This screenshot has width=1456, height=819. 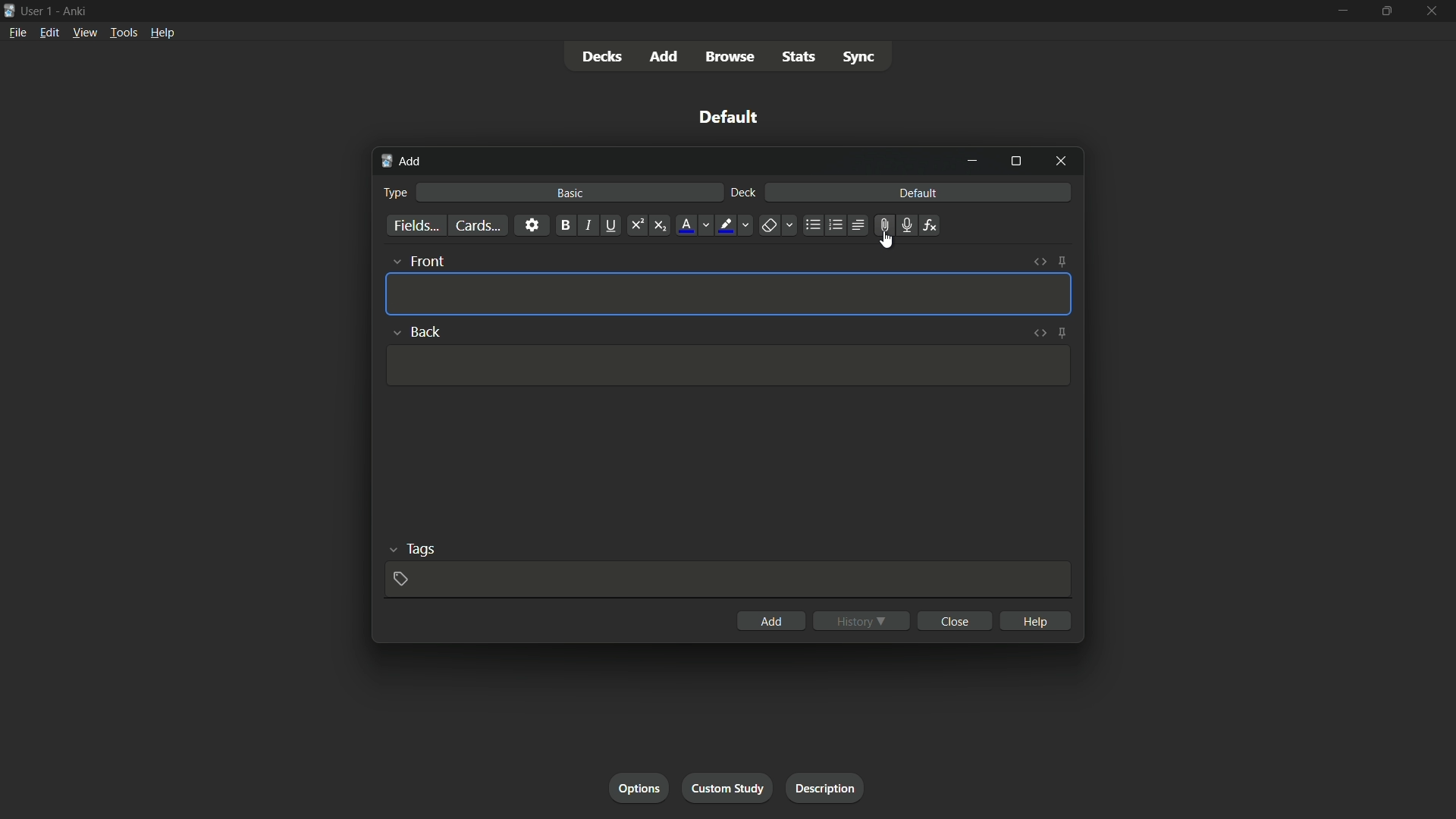 I want to click on settings, so click(x=531, y=225).